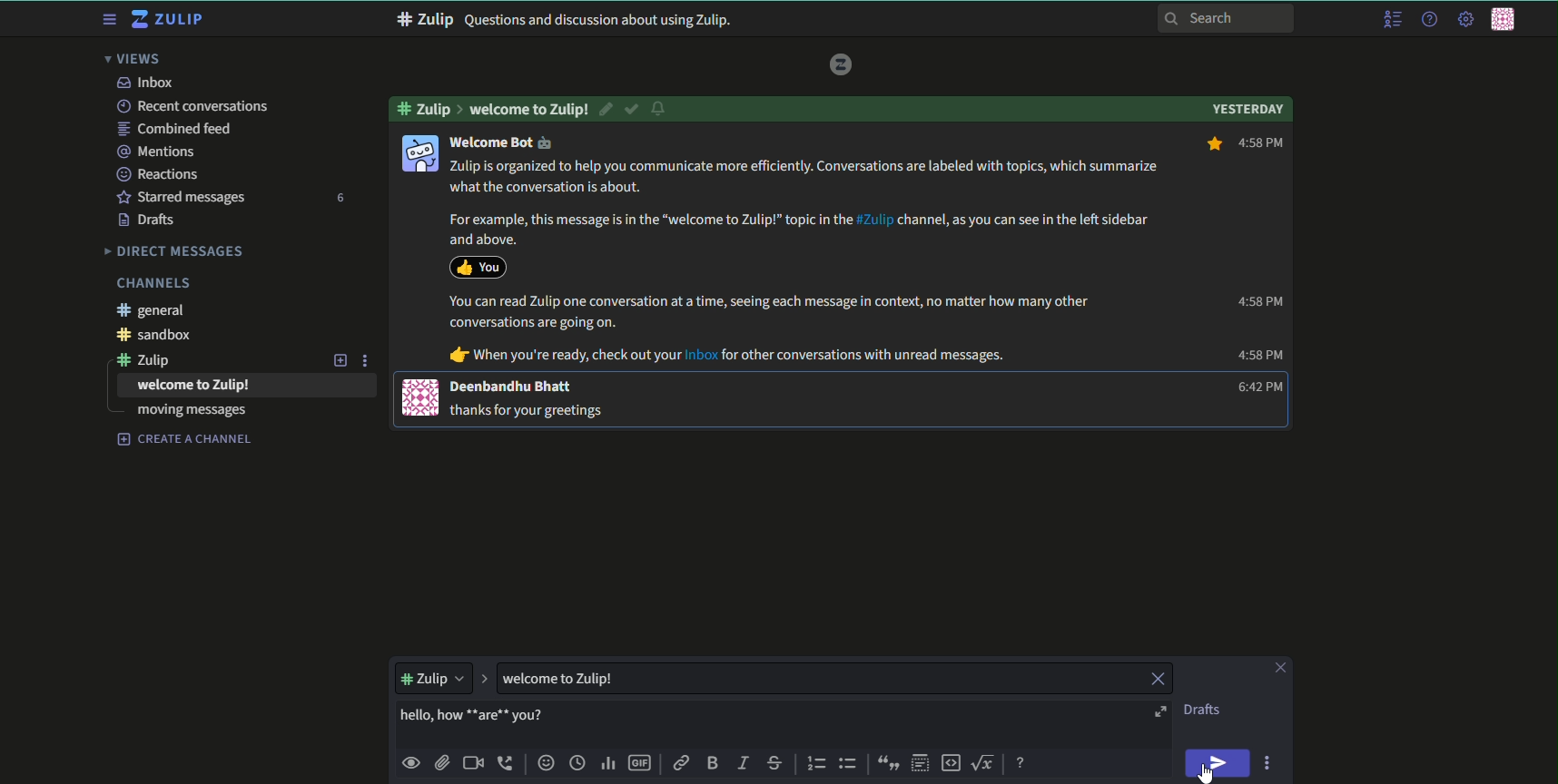 This screenshot has width=1558, height=784. Describe the element at coordinates (156, 310) in the screenshot. I see `#general` at that location.